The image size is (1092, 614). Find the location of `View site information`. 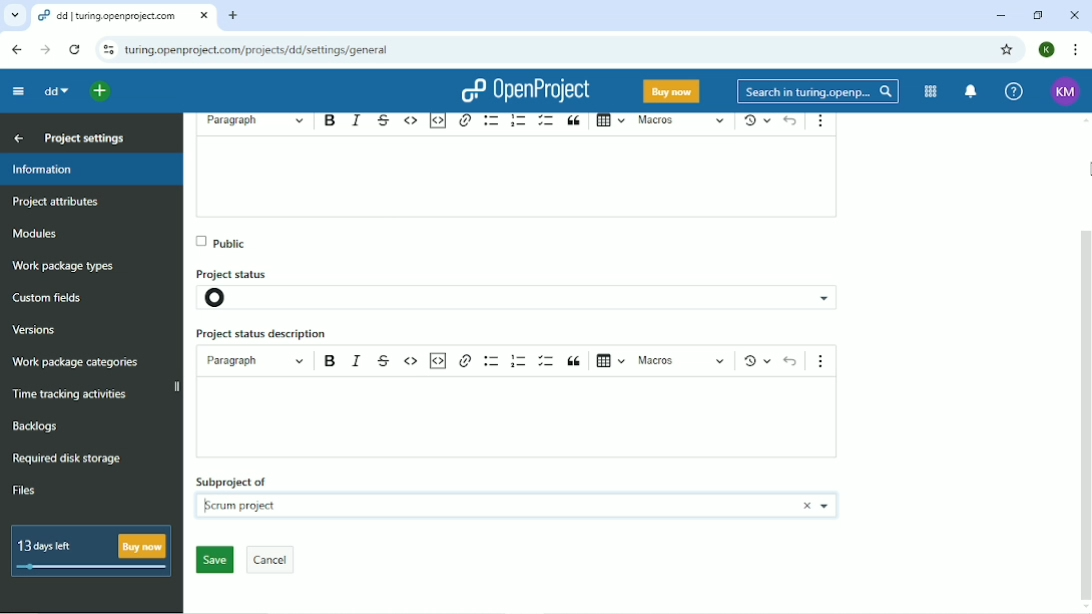

View site information is located at coordinates (107, 49).